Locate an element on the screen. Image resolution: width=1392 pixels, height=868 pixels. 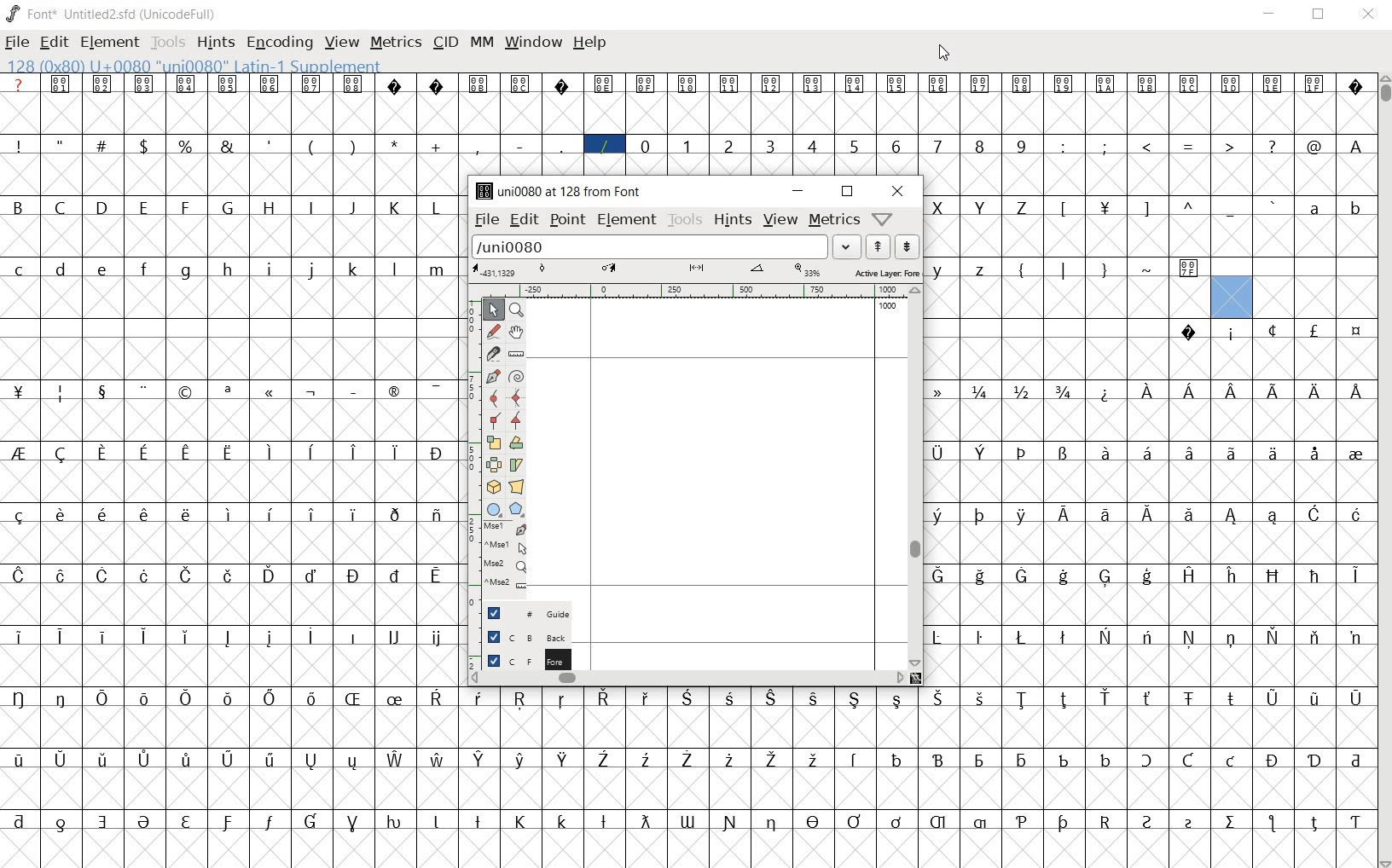
FILE is located at coordinates (18, 42).